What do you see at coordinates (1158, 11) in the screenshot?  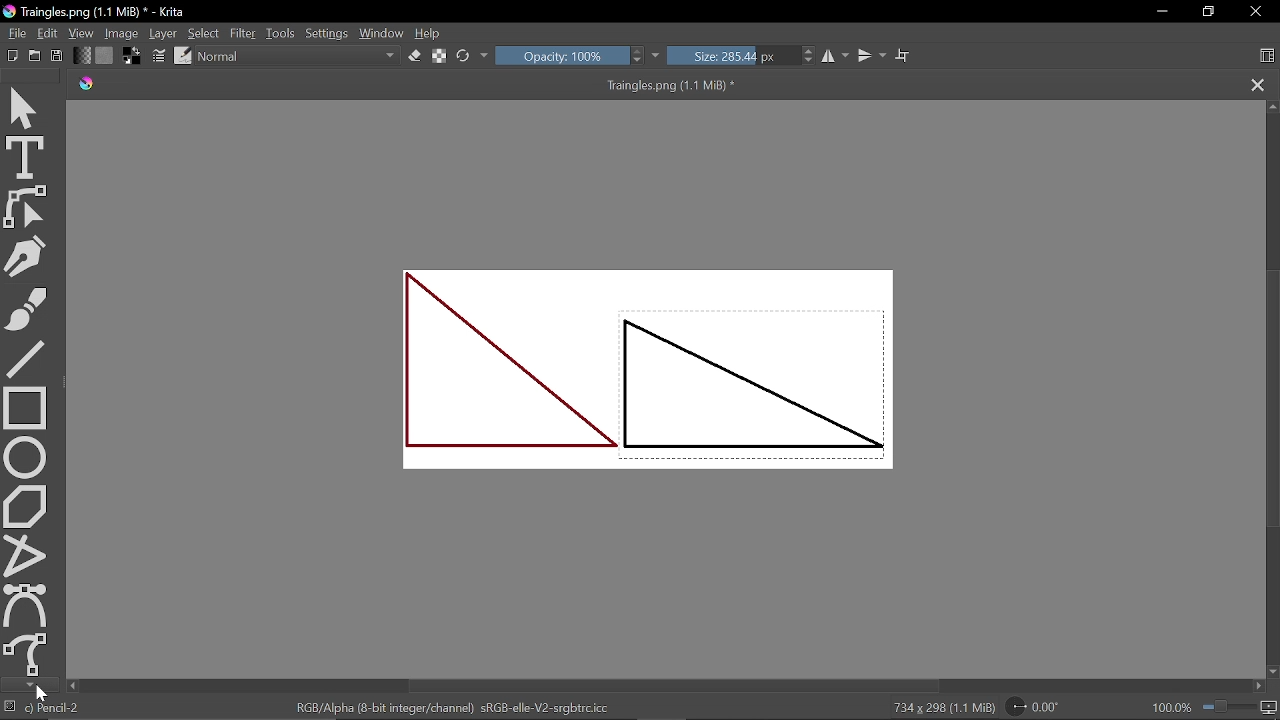 I see `Minimize` at bounding box center [1158, 11].